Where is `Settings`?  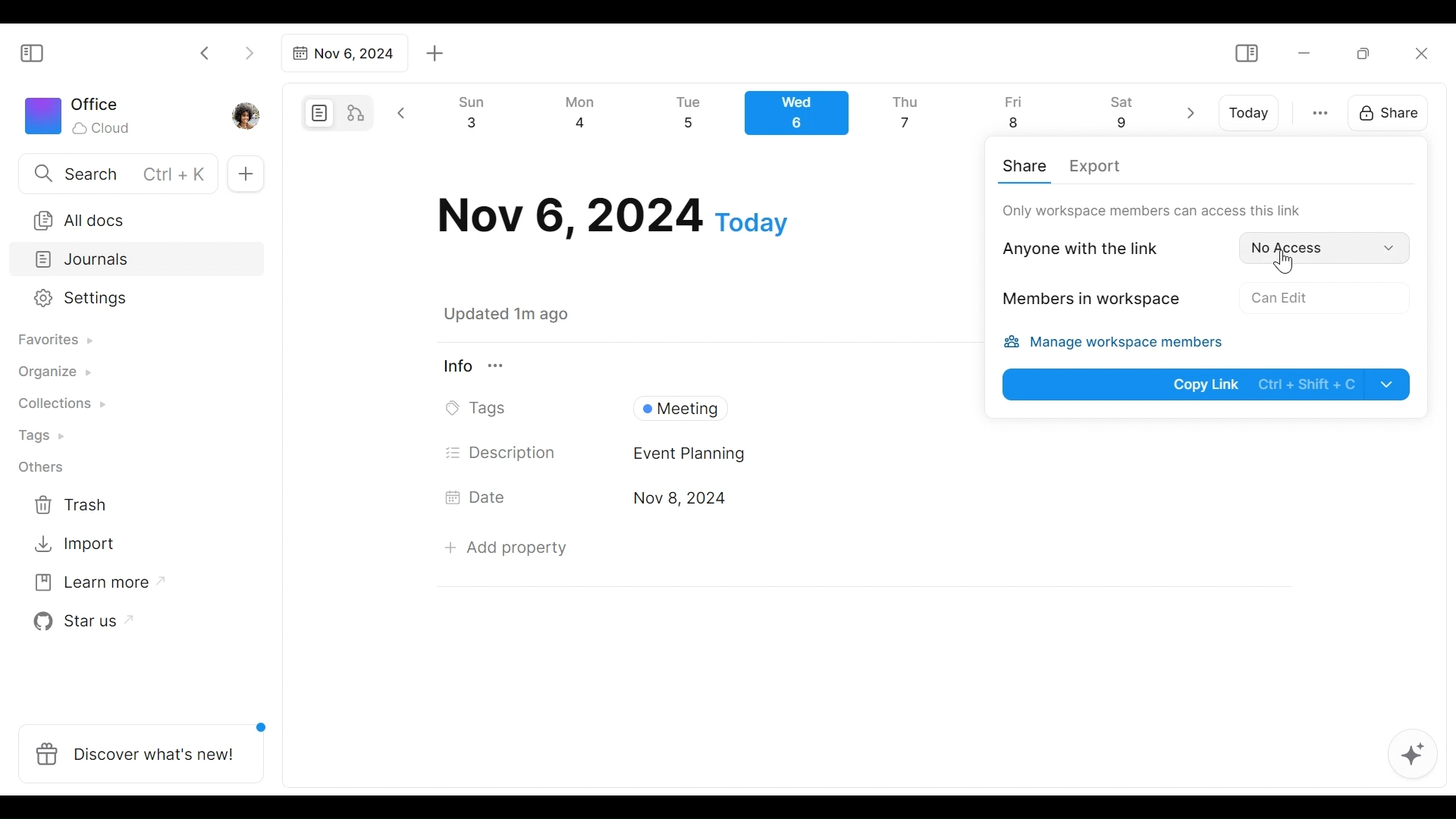 Settings is located at coordinates (125, 299).